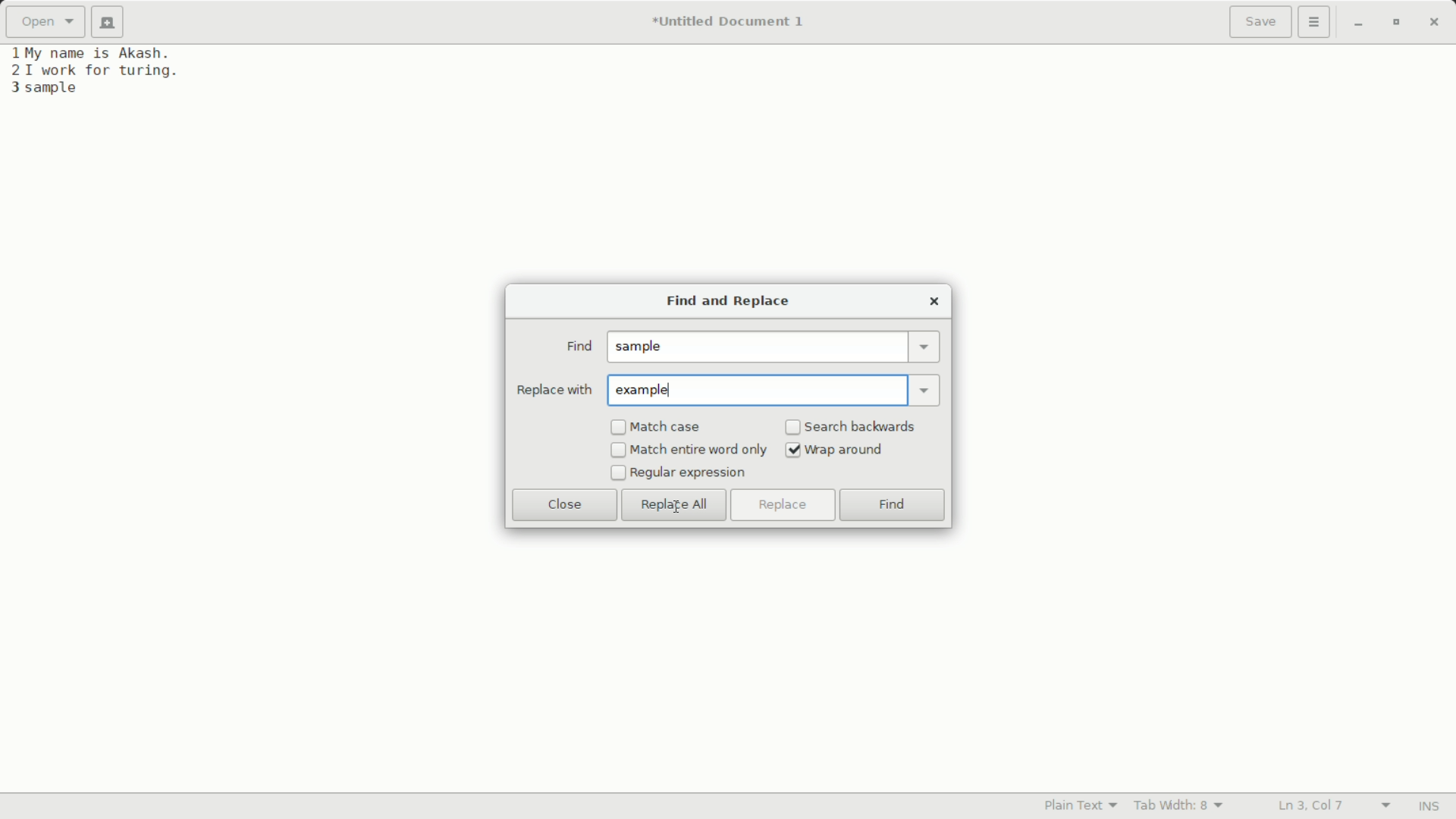 This screenshot has width=1456, height=819. I want to click on dropdown, so click(925, 347).